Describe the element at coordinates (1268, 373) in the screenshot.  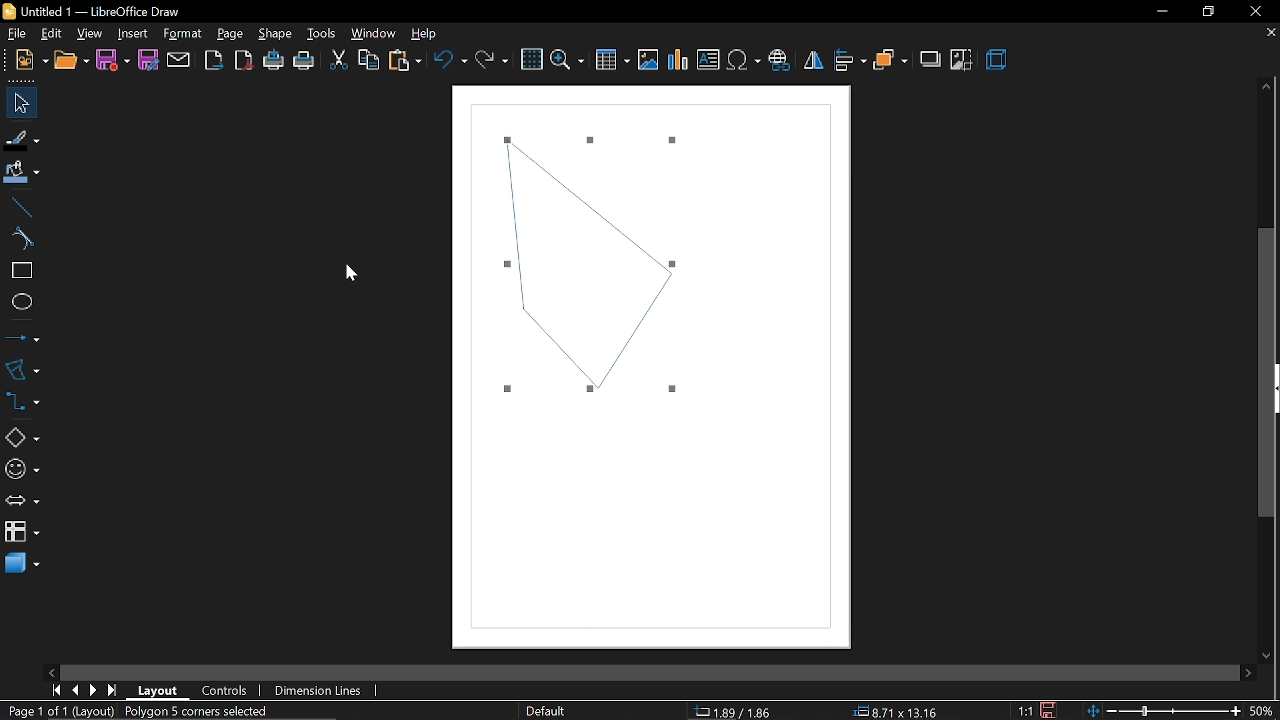
I see `vertical scrollbar` at that location.